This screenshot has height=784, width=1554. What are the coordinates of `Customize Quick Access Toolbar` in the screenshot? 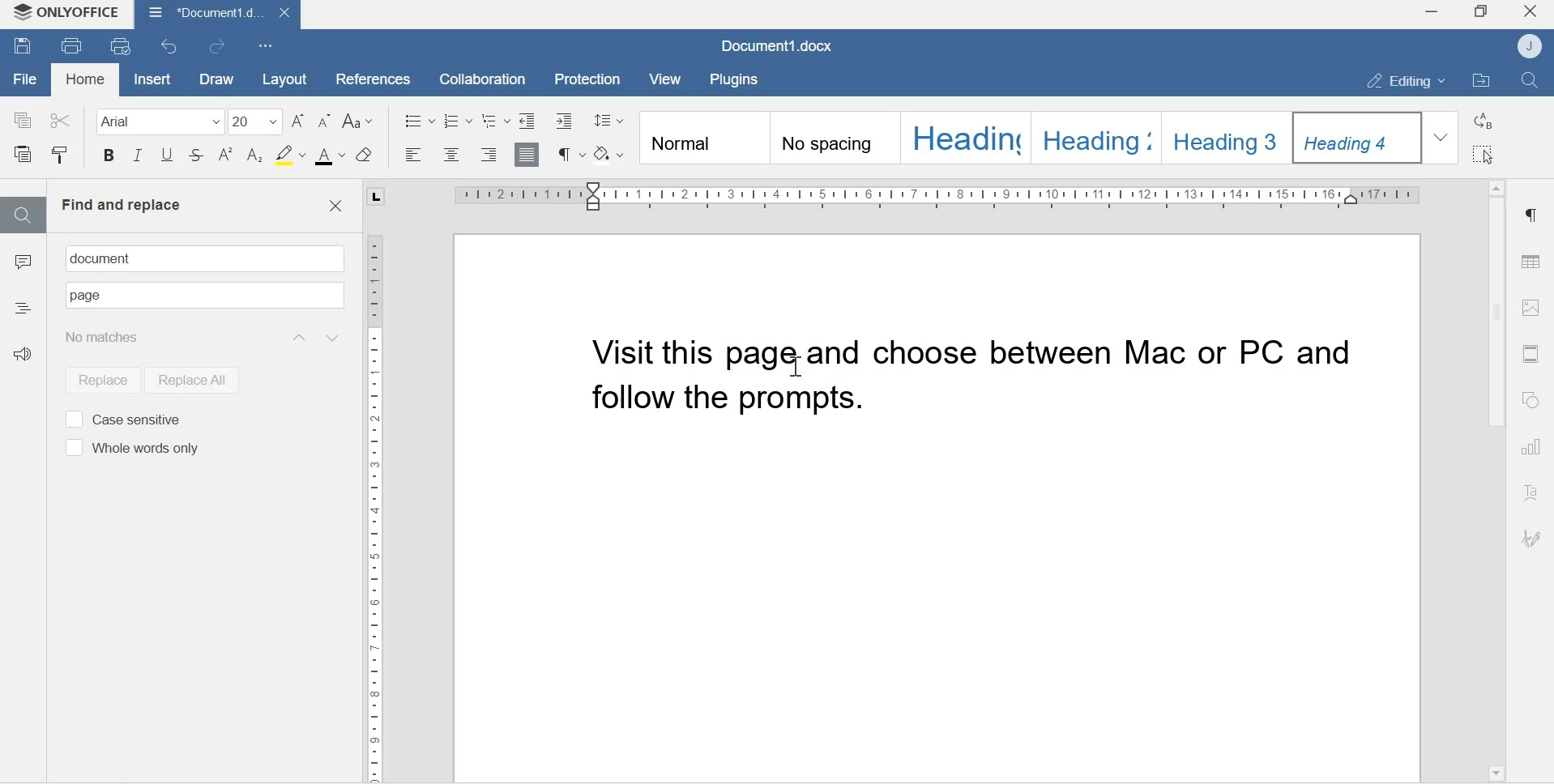 It's located at (267, 45).